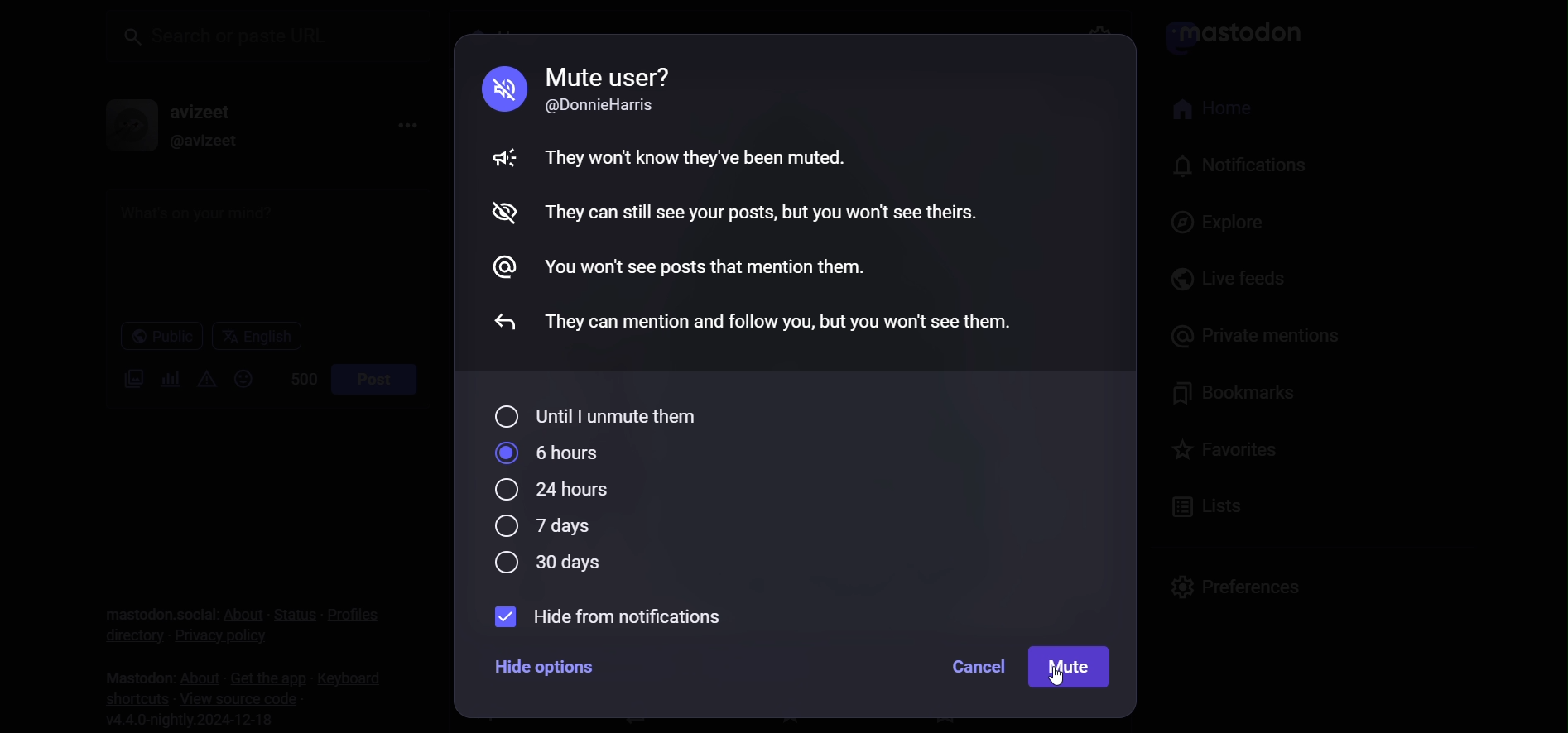 The width and height of the screenshot is (1568, 733). Describe the element at coordinates (501, 214) in the screenshot. I see `hide` at that location.